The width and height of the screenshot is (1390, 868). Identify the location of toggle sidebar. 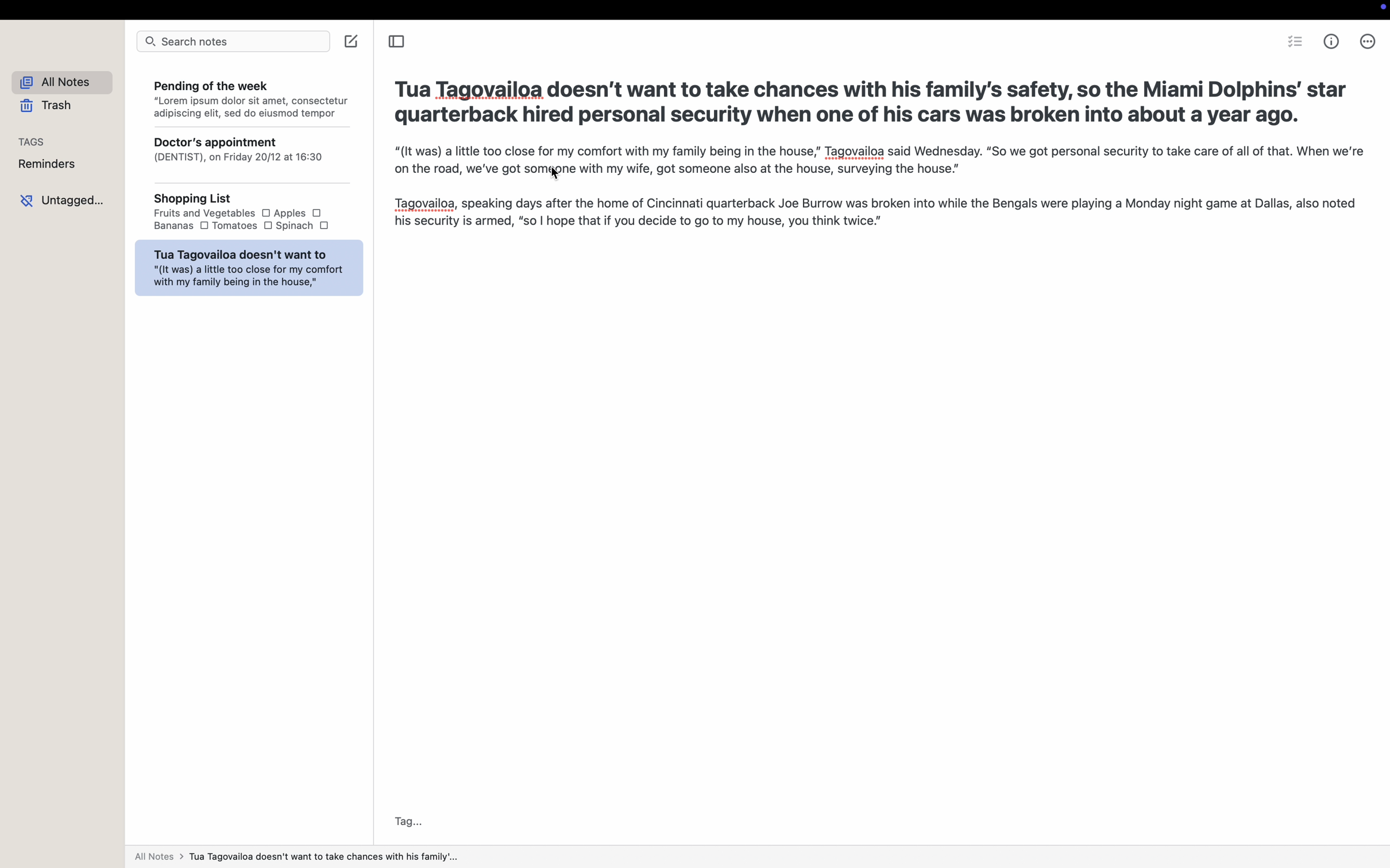
(396, 43).